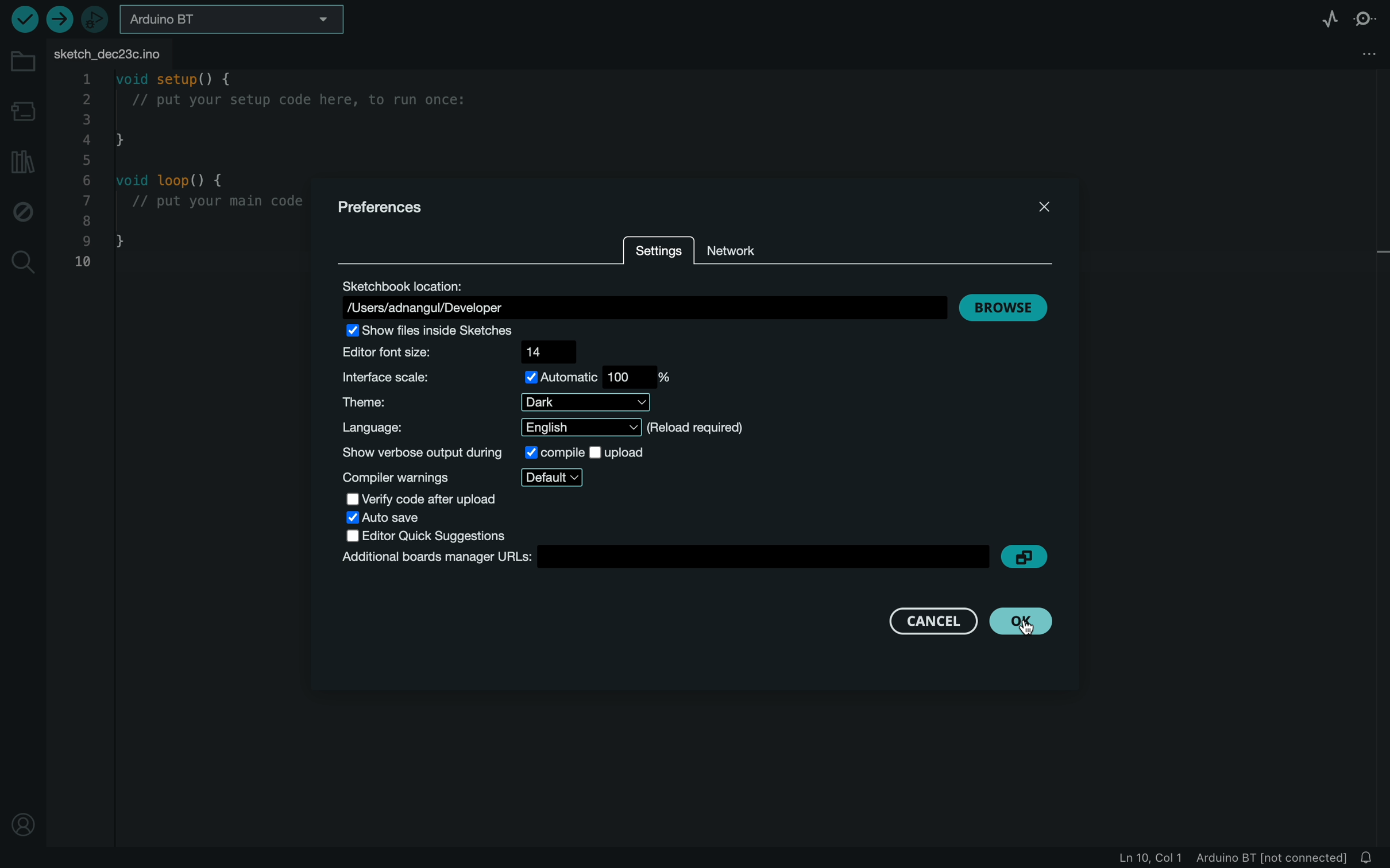 This screenshot has width=1390, height=868. Describe the element at coordinates (24, 63) in the screenshot. I see `folder` at that location.